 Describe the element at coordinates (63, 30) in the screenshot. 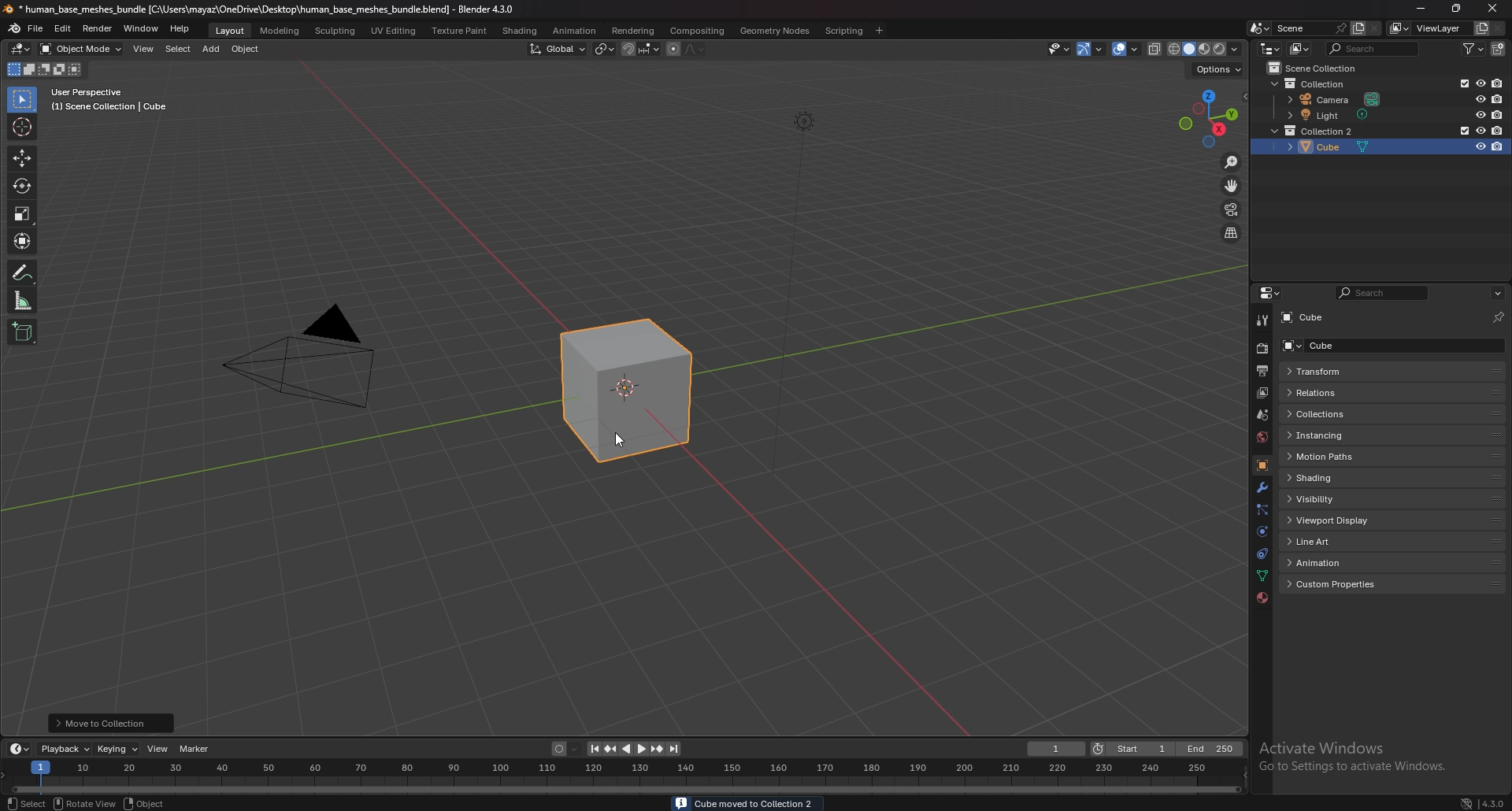

I see `edit` at that location.